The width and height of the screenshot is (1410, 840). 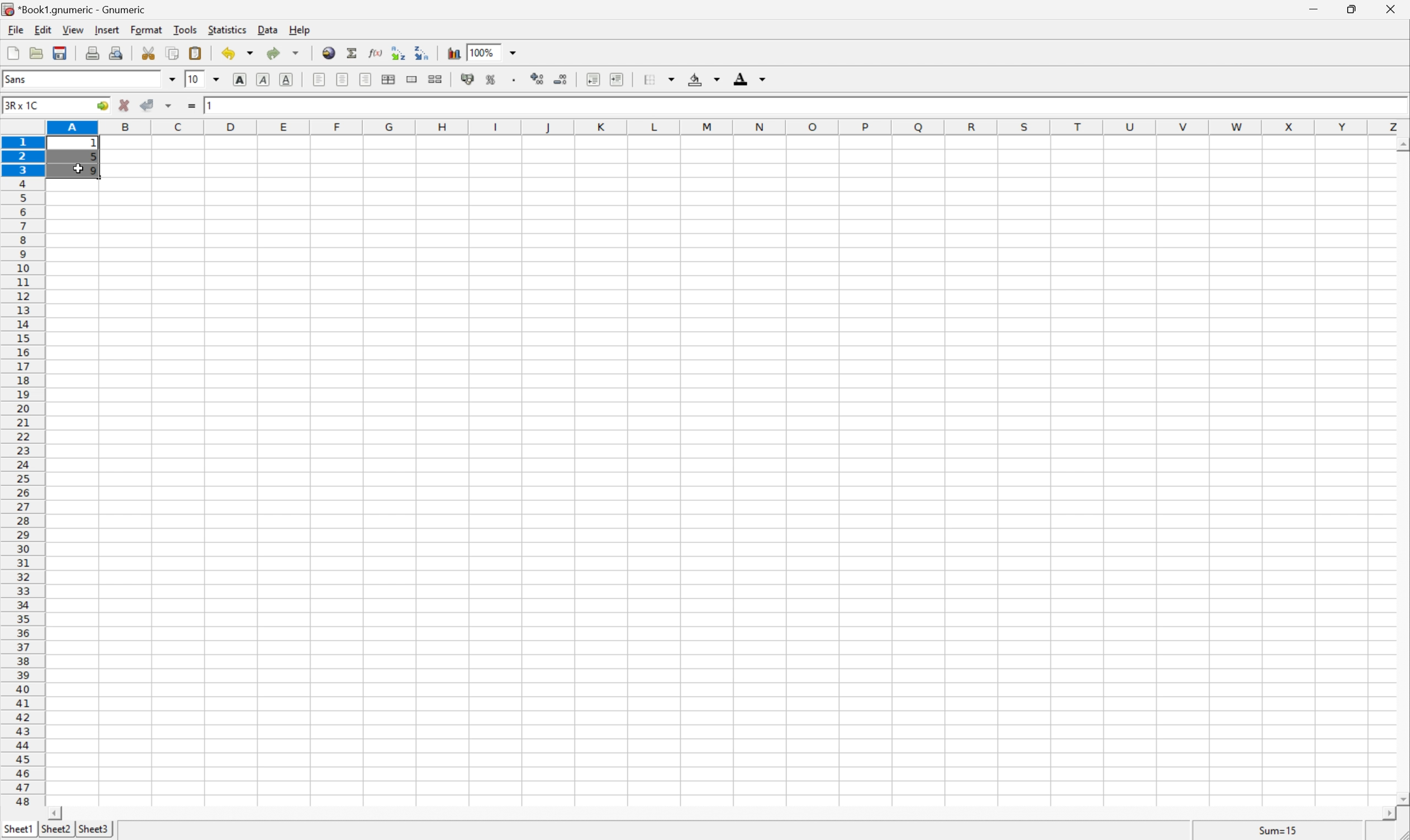 I want to click on drop down, so click(x=173, y=79).